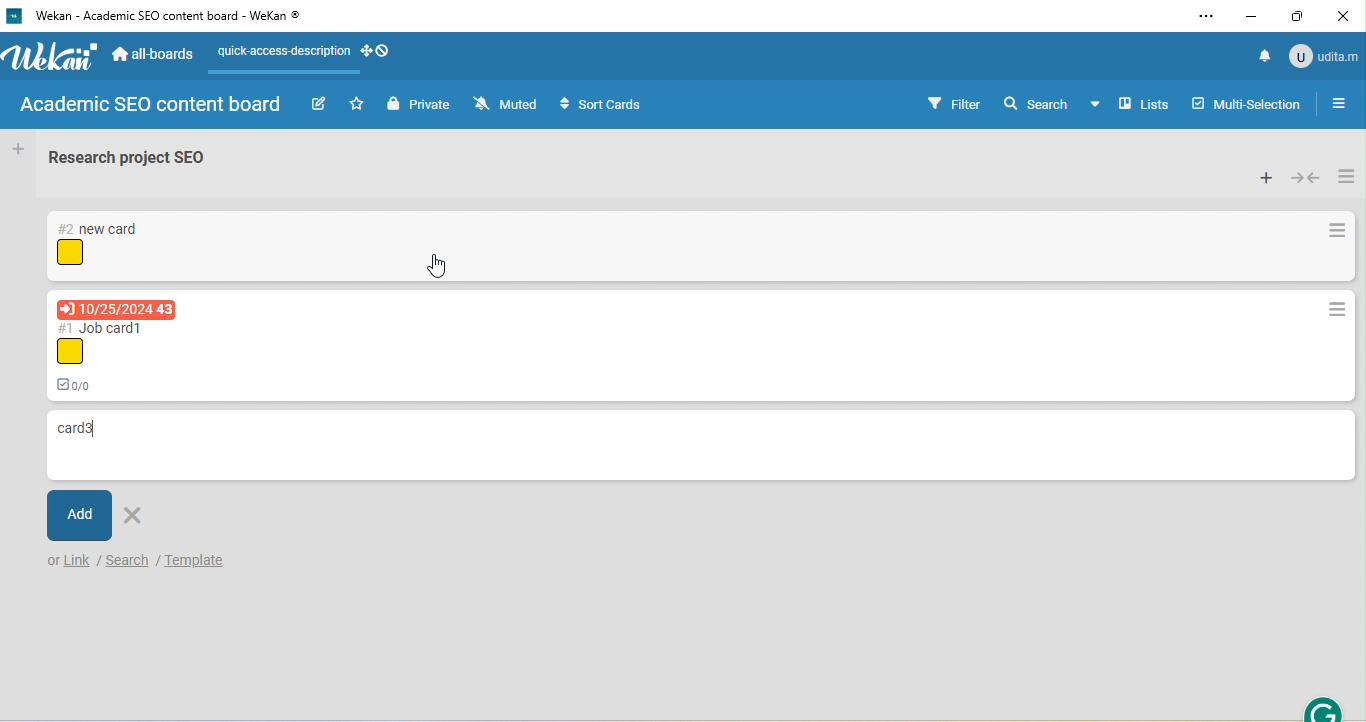 The image size is (1366, 722). I want to click on minimize, so click(1253, 17).